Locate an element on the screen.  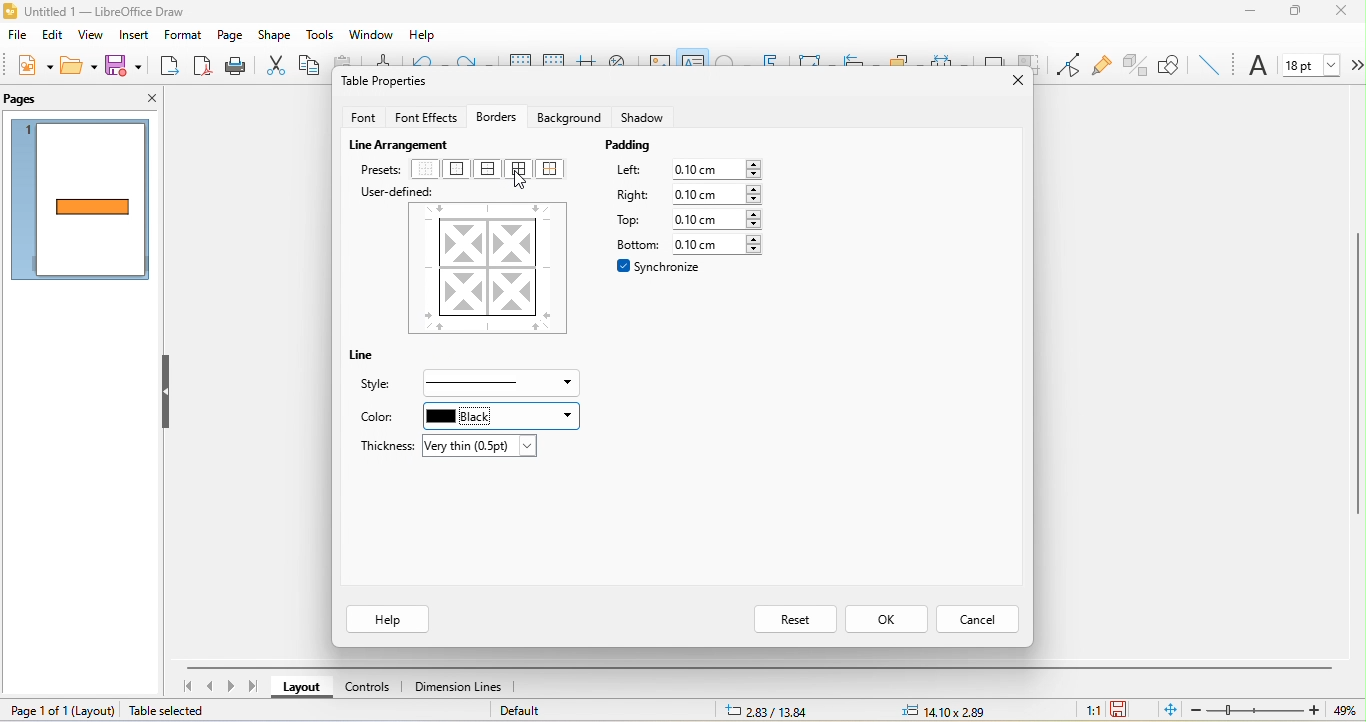
cancel is located at coordinates (980, 619).